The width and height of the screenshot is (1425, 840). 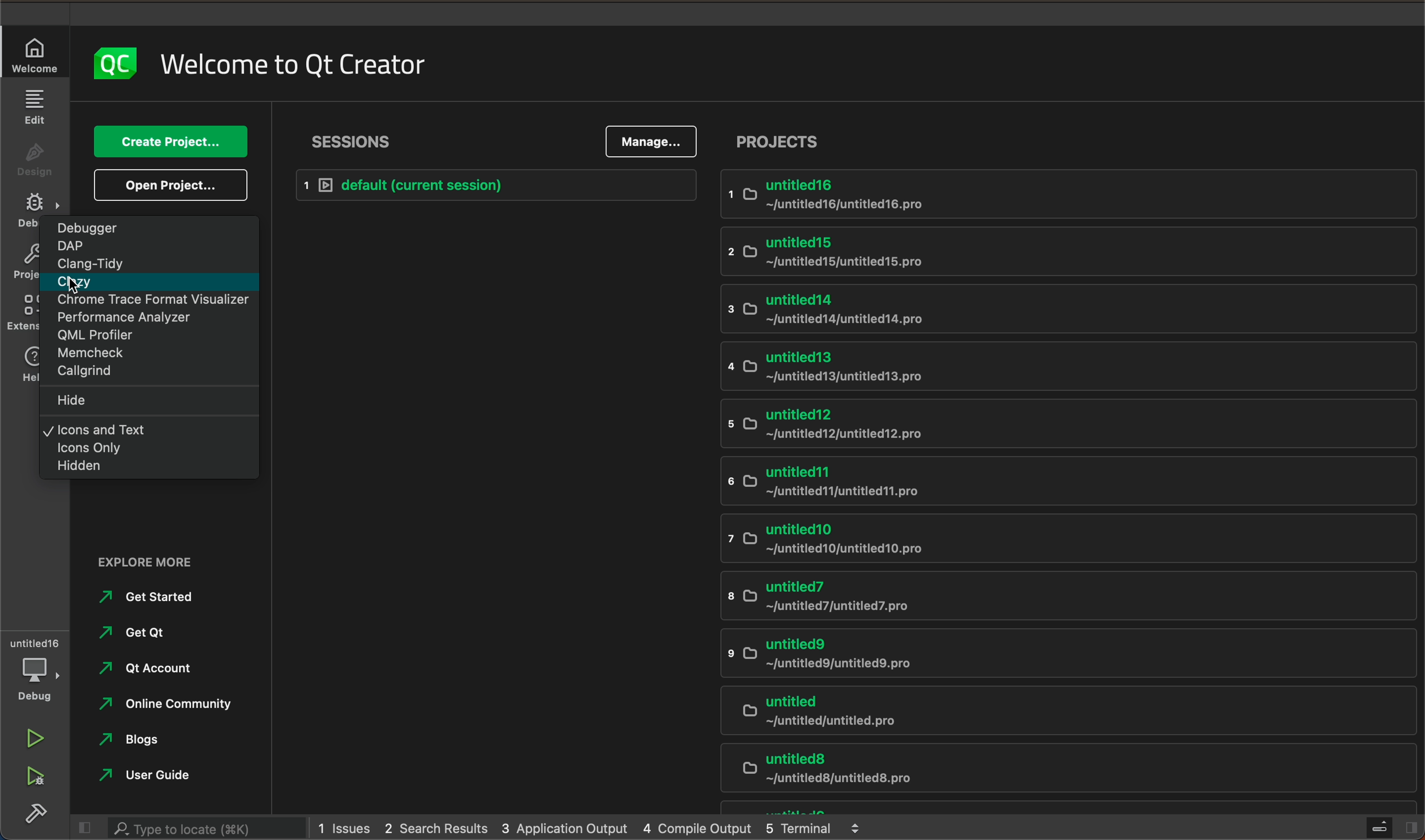 What do you see at coordinates (1393, 828) in the screenshot?
I see `open sidebar` at bounding box center [1393, 828].